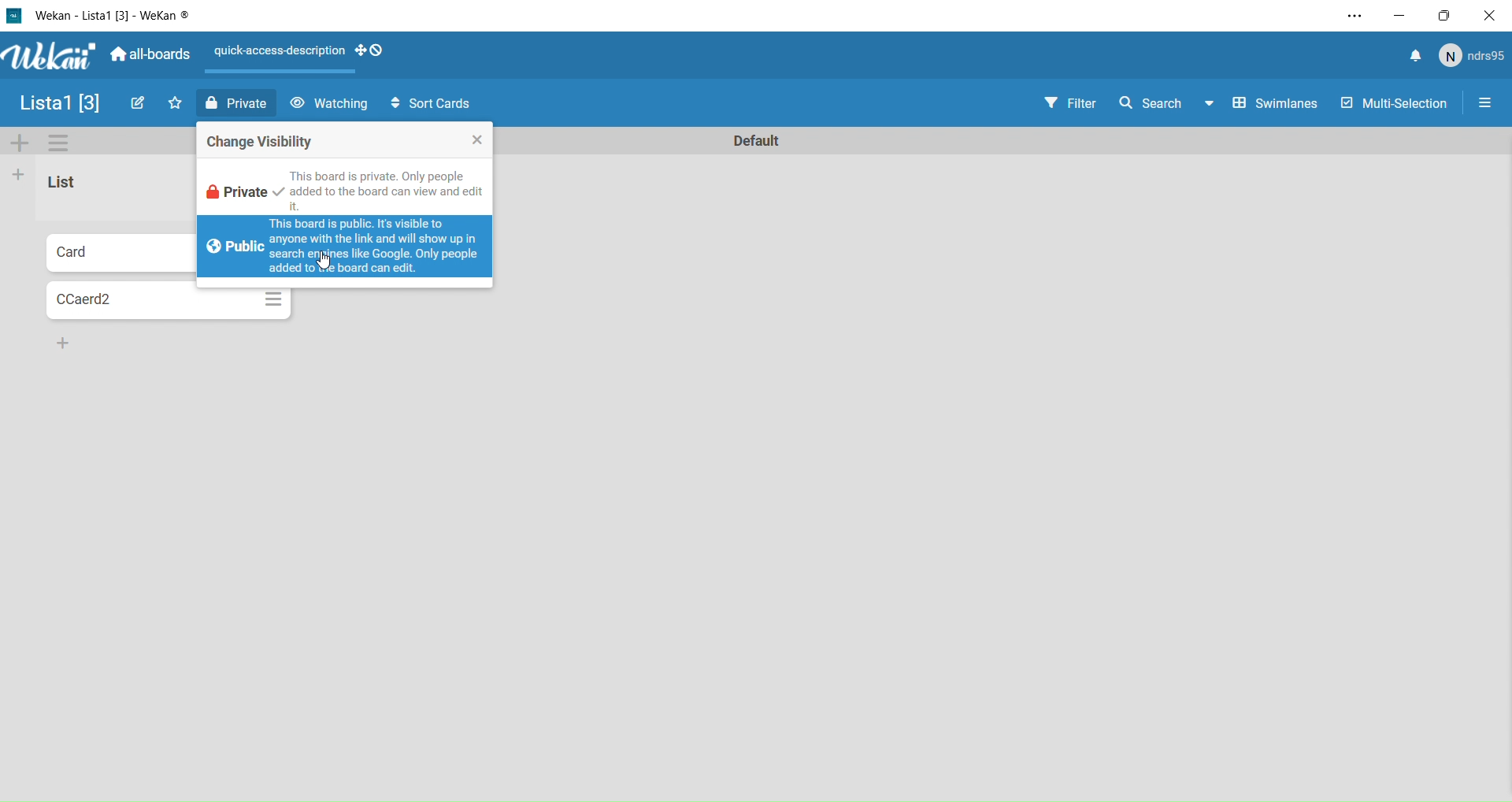 This screenshot has height=802, width=1512. What do you see at coordinates (61, 146) in the screenshot?
I see `Options` at bounding box center [61, 146].